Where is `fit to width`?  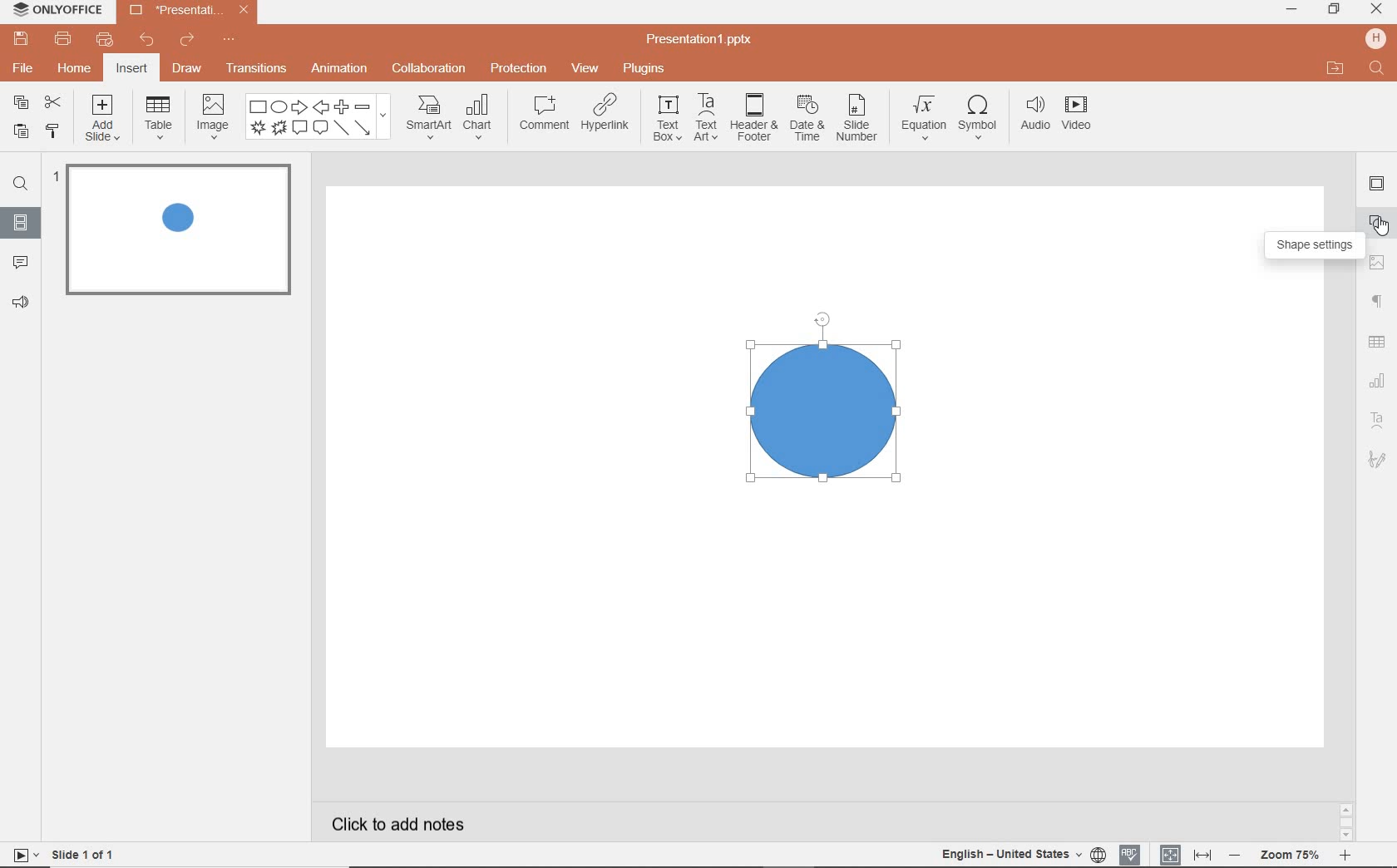 fit to width is located at coordinates (1202, 852).